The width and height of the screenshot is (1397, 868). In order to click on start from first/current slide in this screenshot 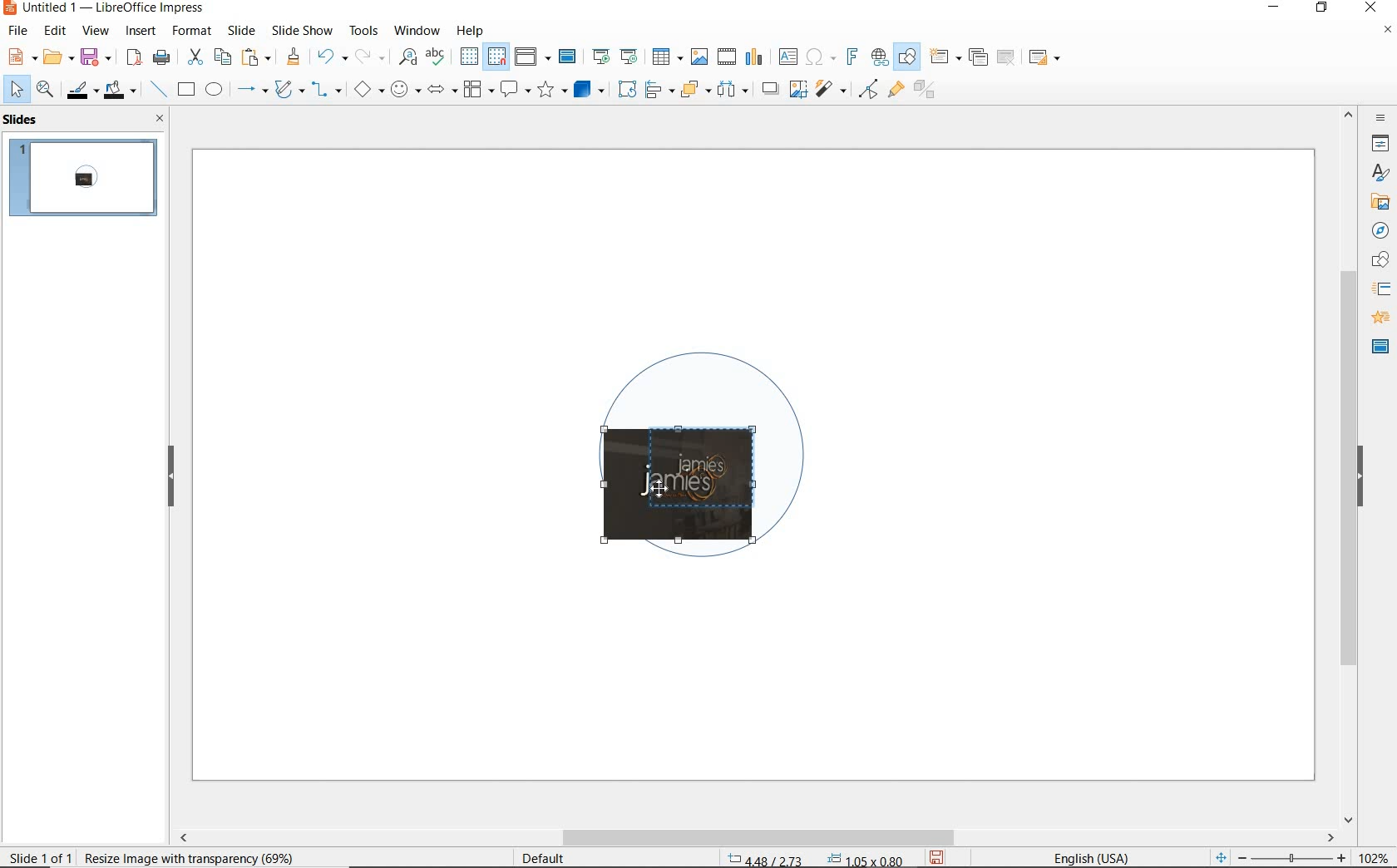, I will do `click(615, 55)`.